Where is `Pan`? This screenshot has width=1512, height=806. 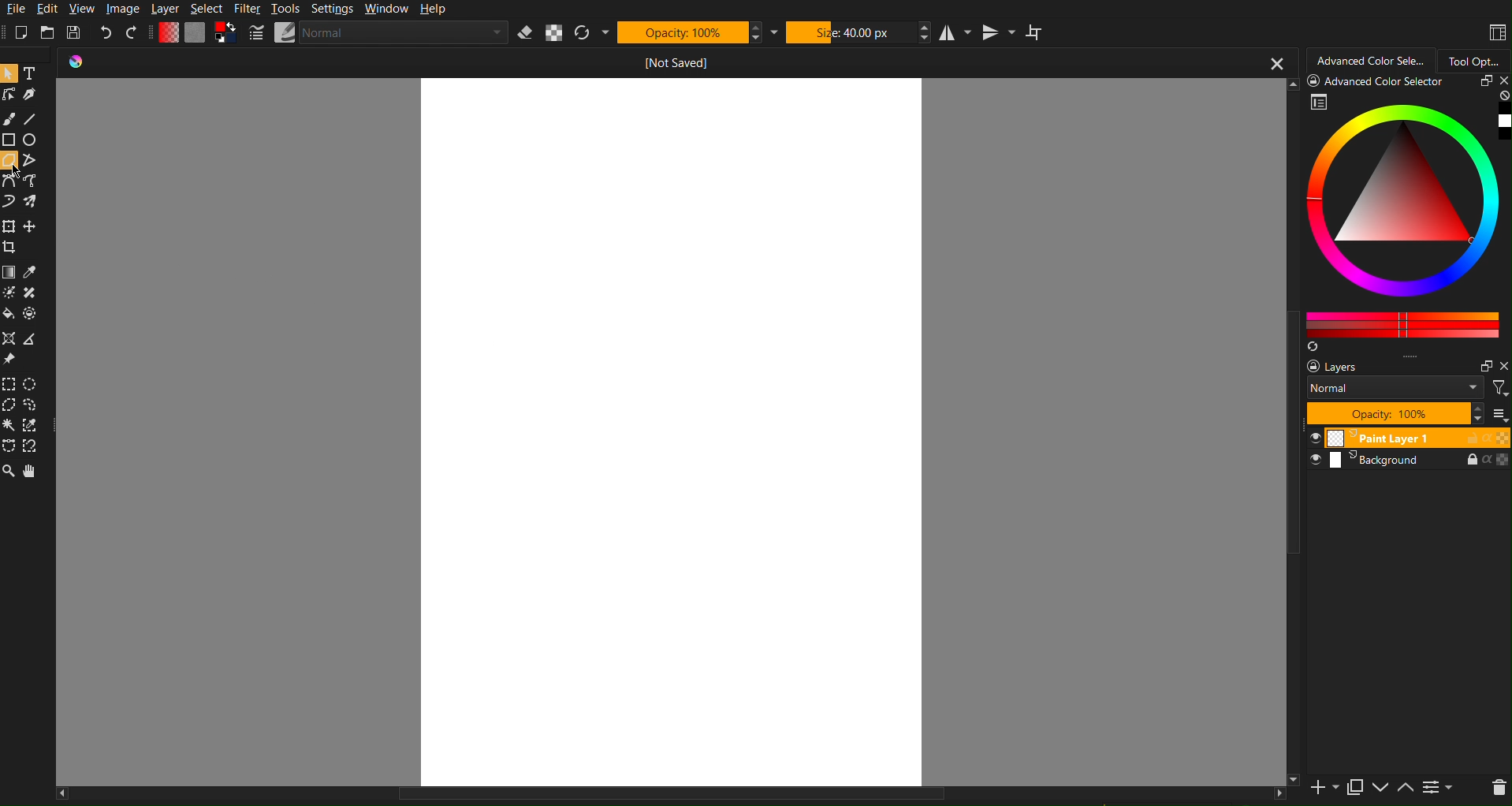
Pan is located at coordinates (36, 470).